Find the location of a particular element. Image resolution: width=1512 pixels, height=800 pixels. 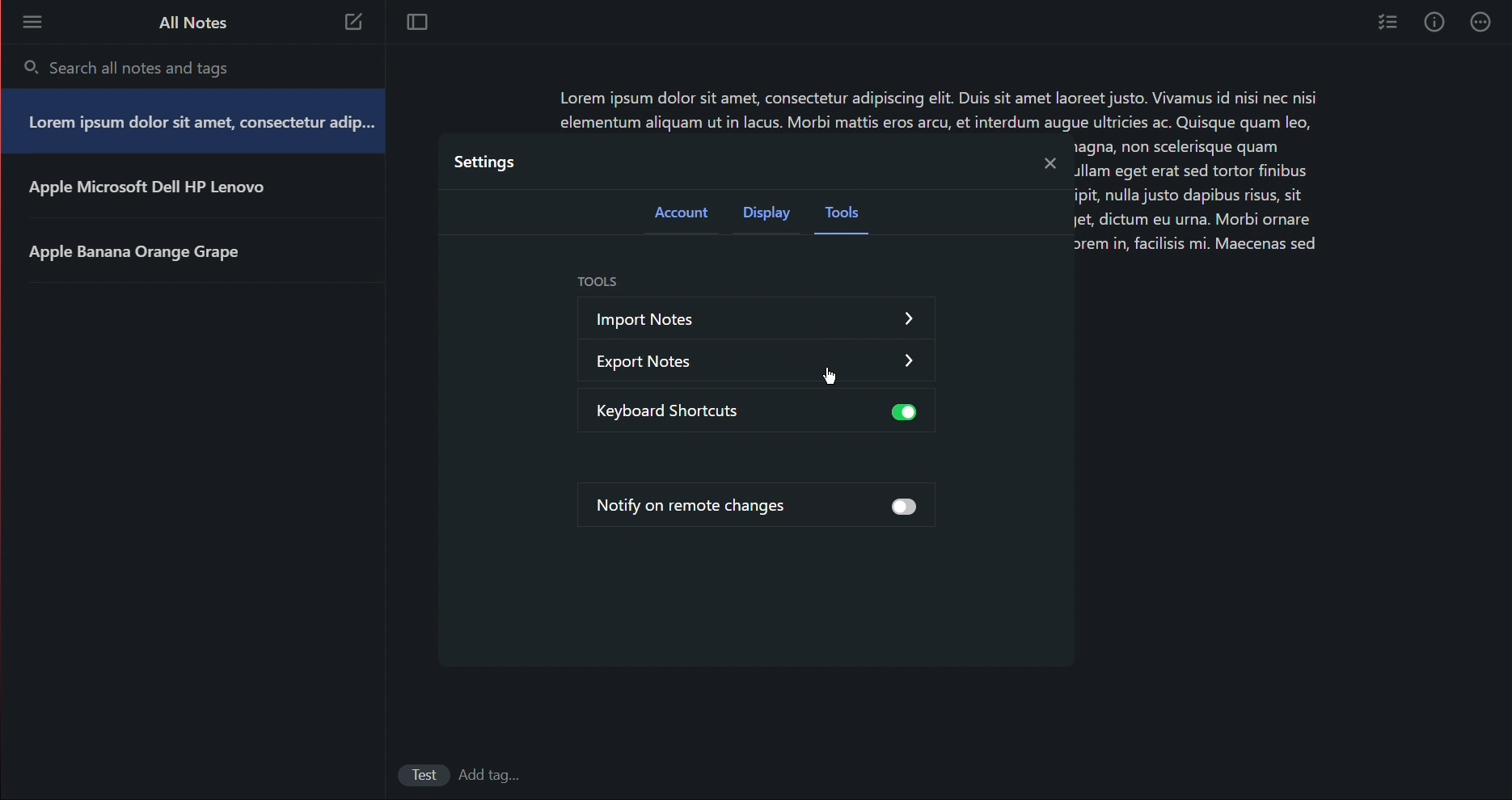

Keyboard Shortcuts is located at coordinates (691, 411).